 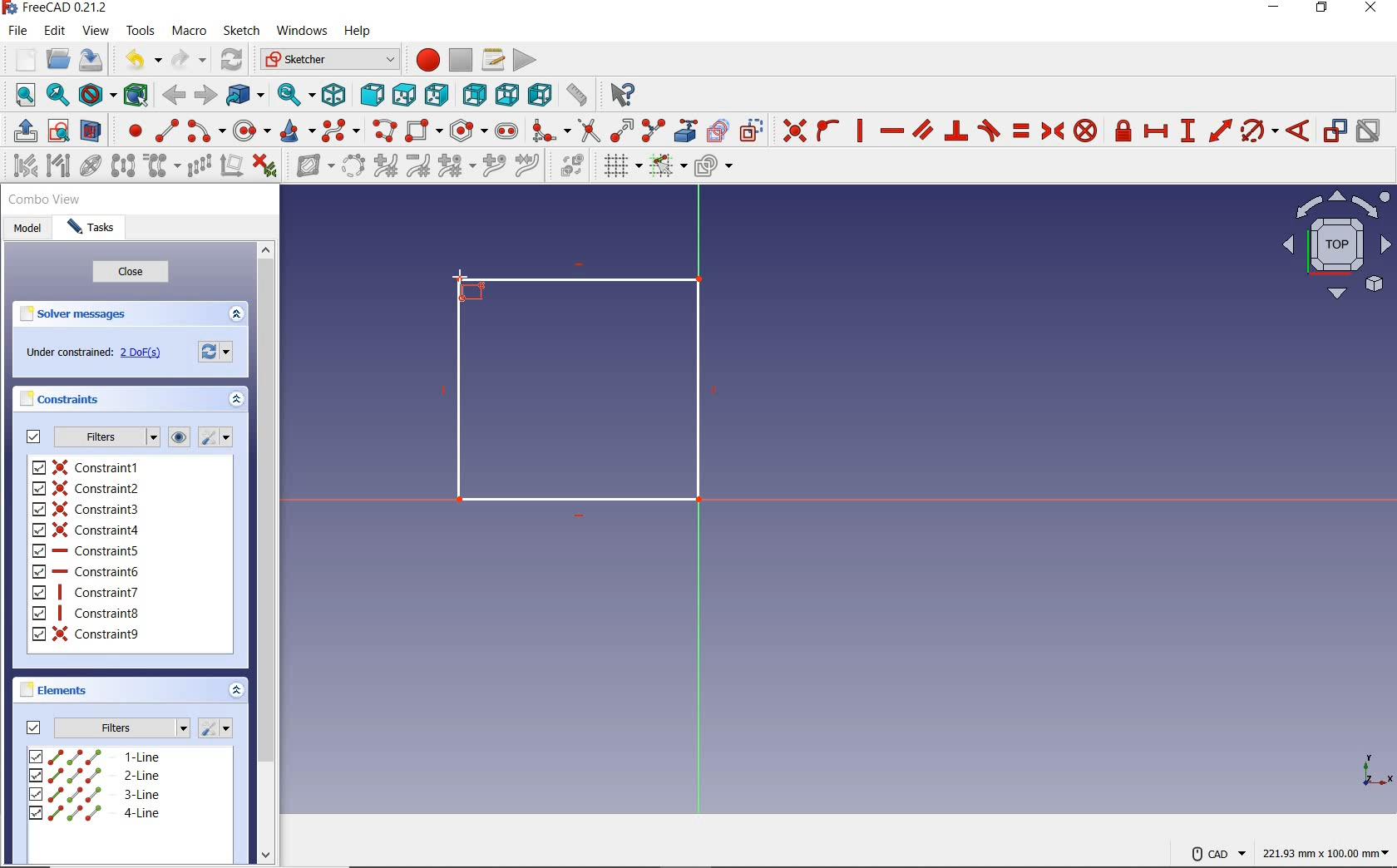 What do you see at coordinates (384, 167) in the screenshot?
I see `increase b-spline degree` at bounding box center [384, 167].